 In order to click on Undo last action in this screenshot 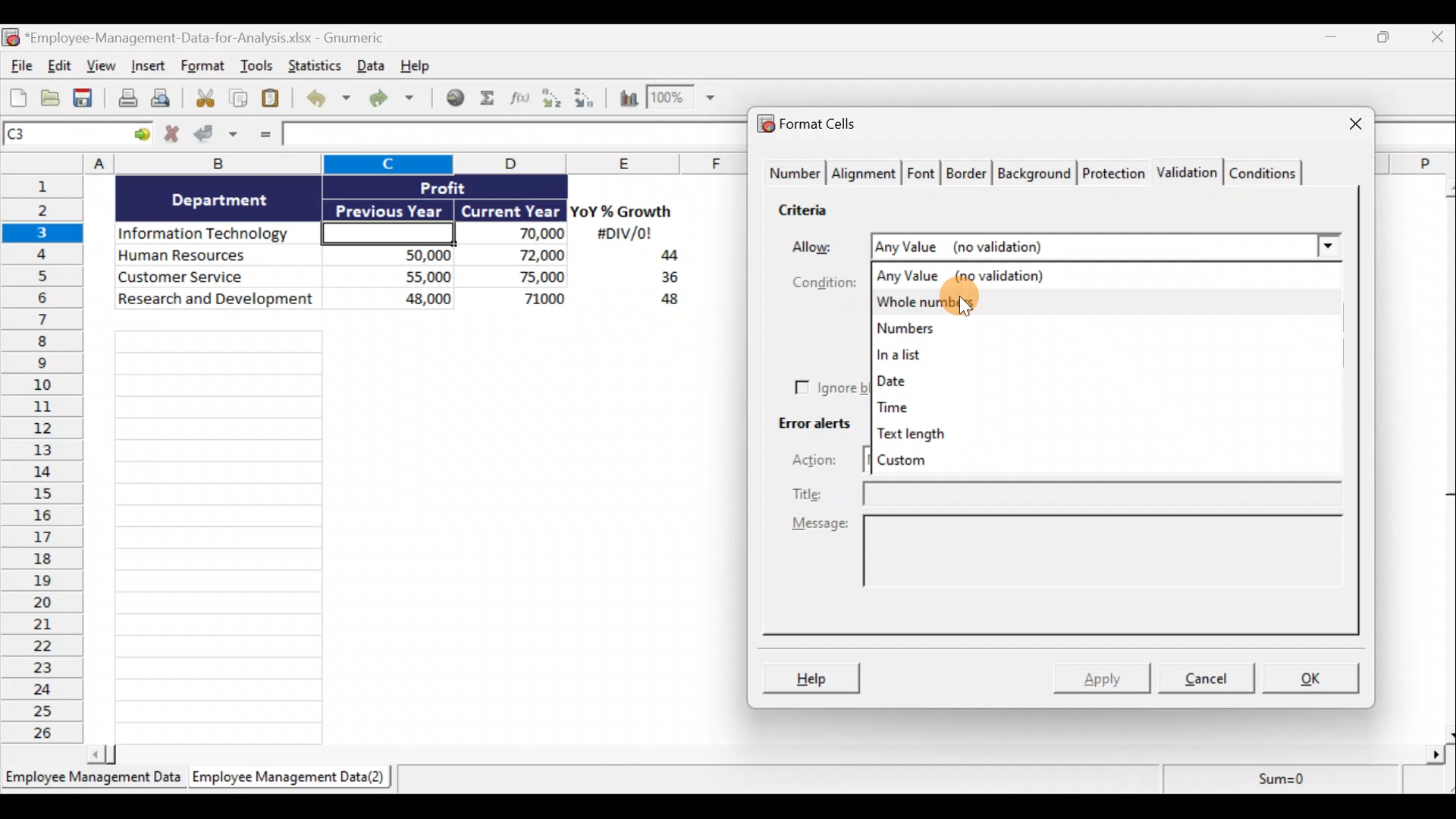, I will do `click(331, 99)`.